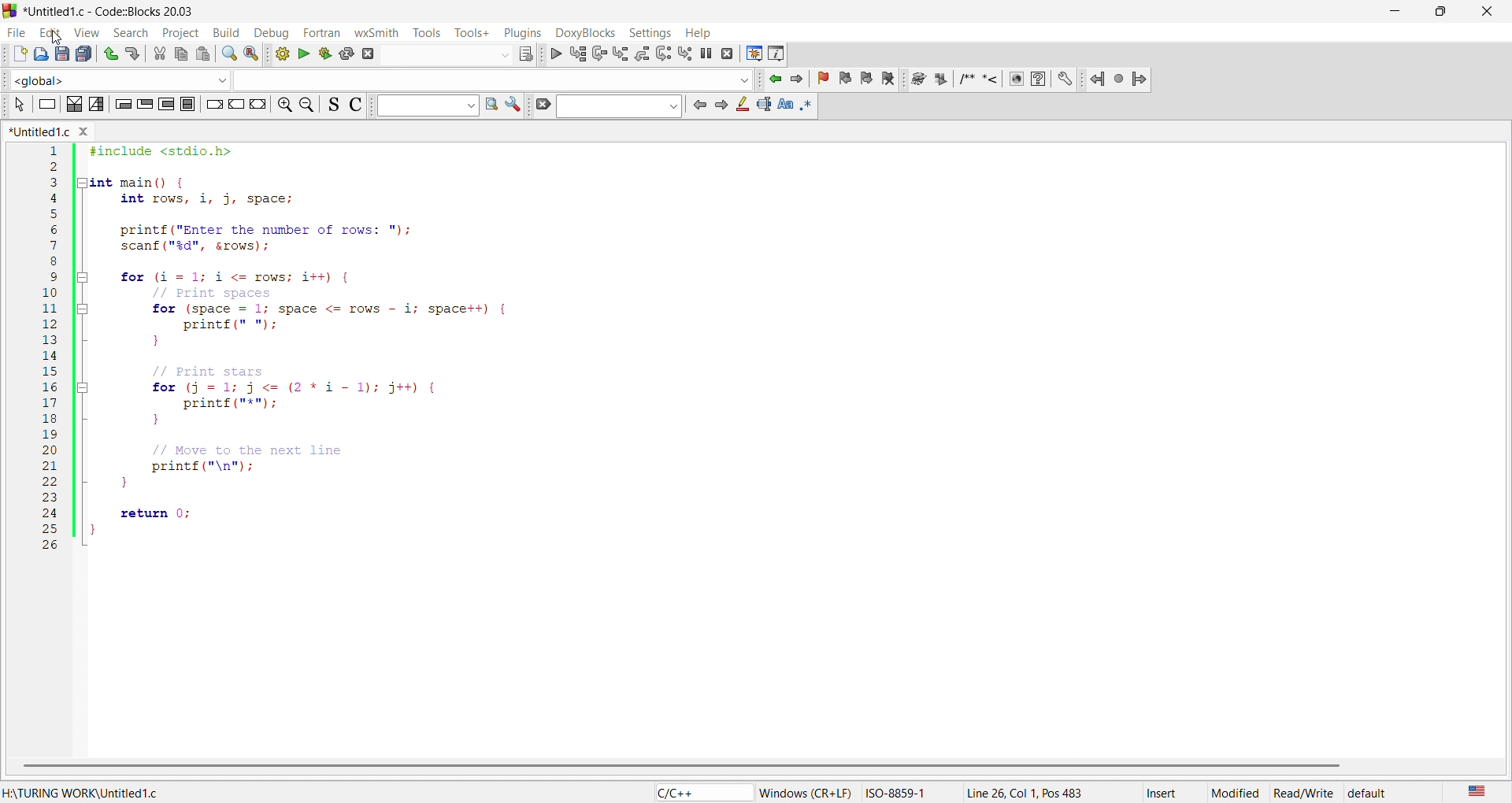 This screenshot has width=1512, height=803. I want to click on view, so click(89, 28).